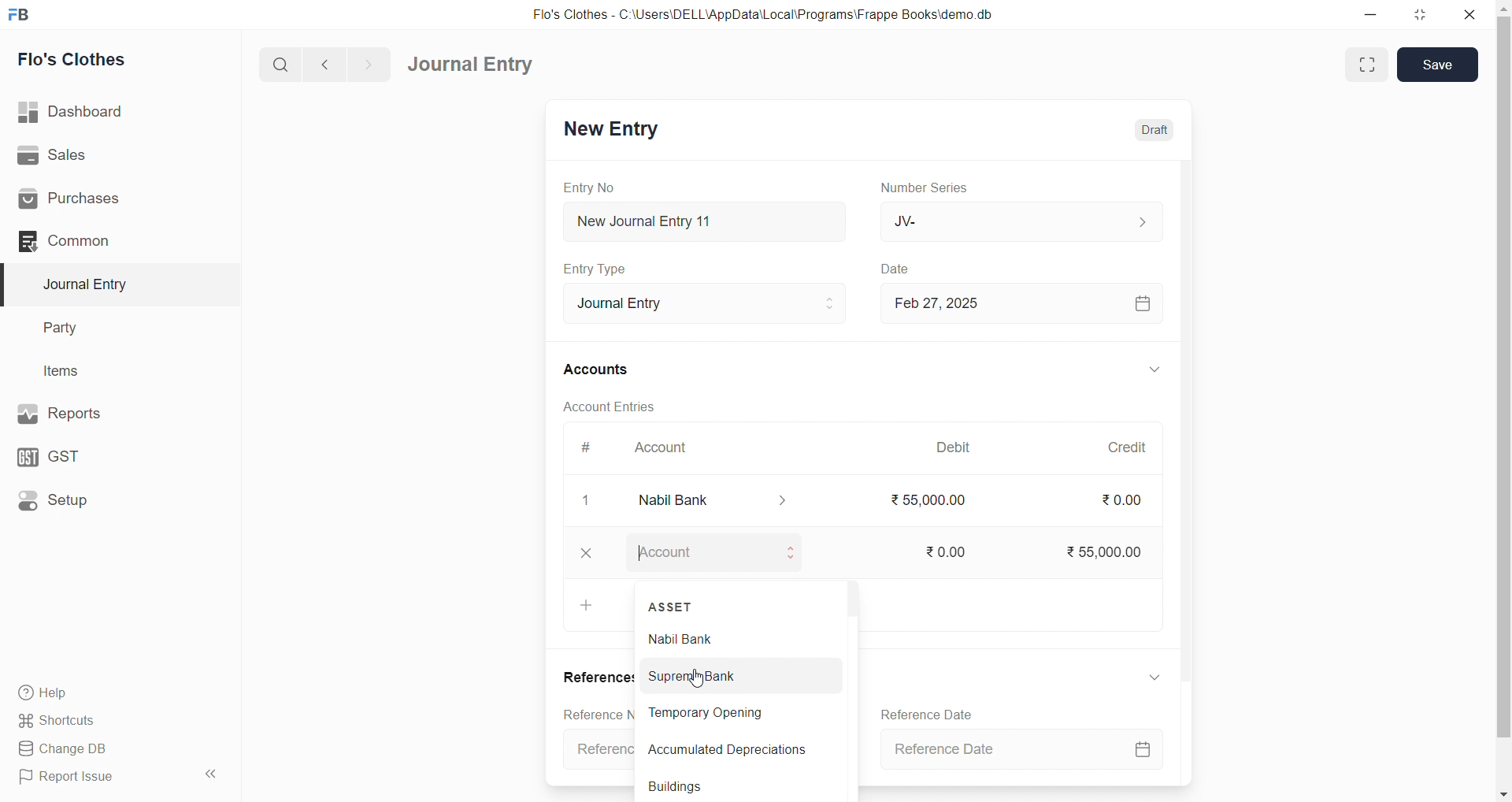 This screenshot has height=802, width=1512. What do you see at coordinates (94, 780) in the screenshot?
I see `Report Issue` at bounding box center [94, 780].